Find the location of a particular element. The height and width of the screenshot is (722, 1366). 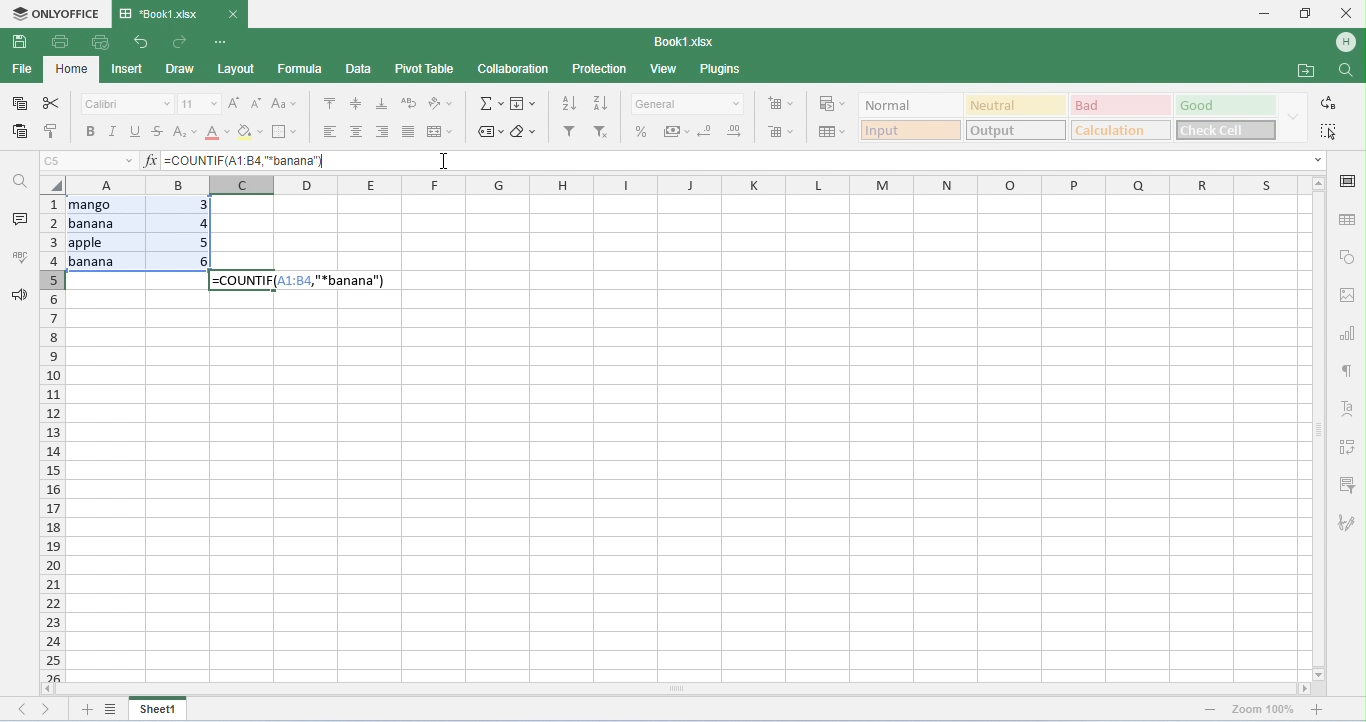

cut is located at coordinates (54, 103).